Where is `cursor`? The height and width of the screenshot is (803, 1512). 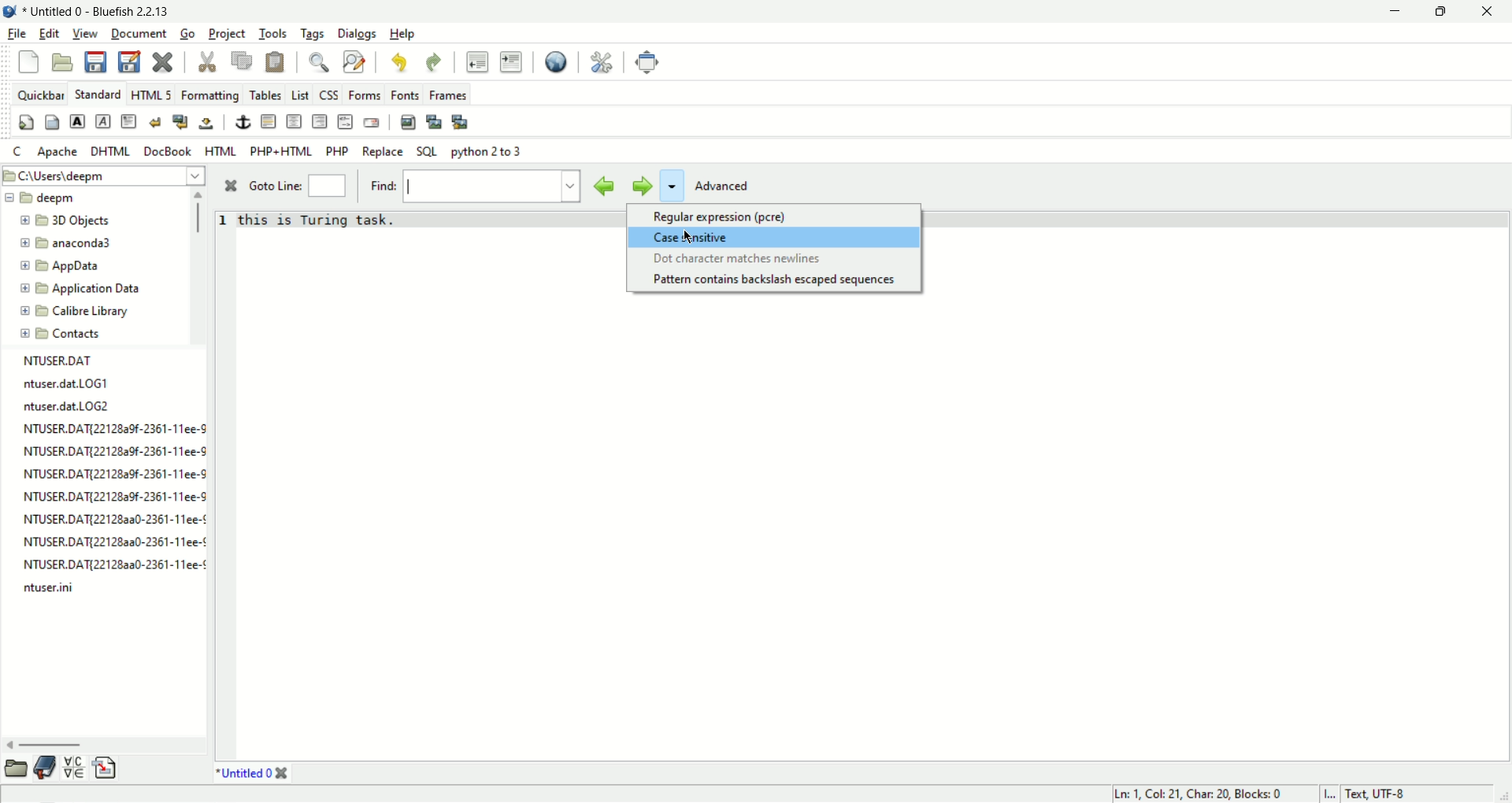 cursor is located at coordinates (693, 236).